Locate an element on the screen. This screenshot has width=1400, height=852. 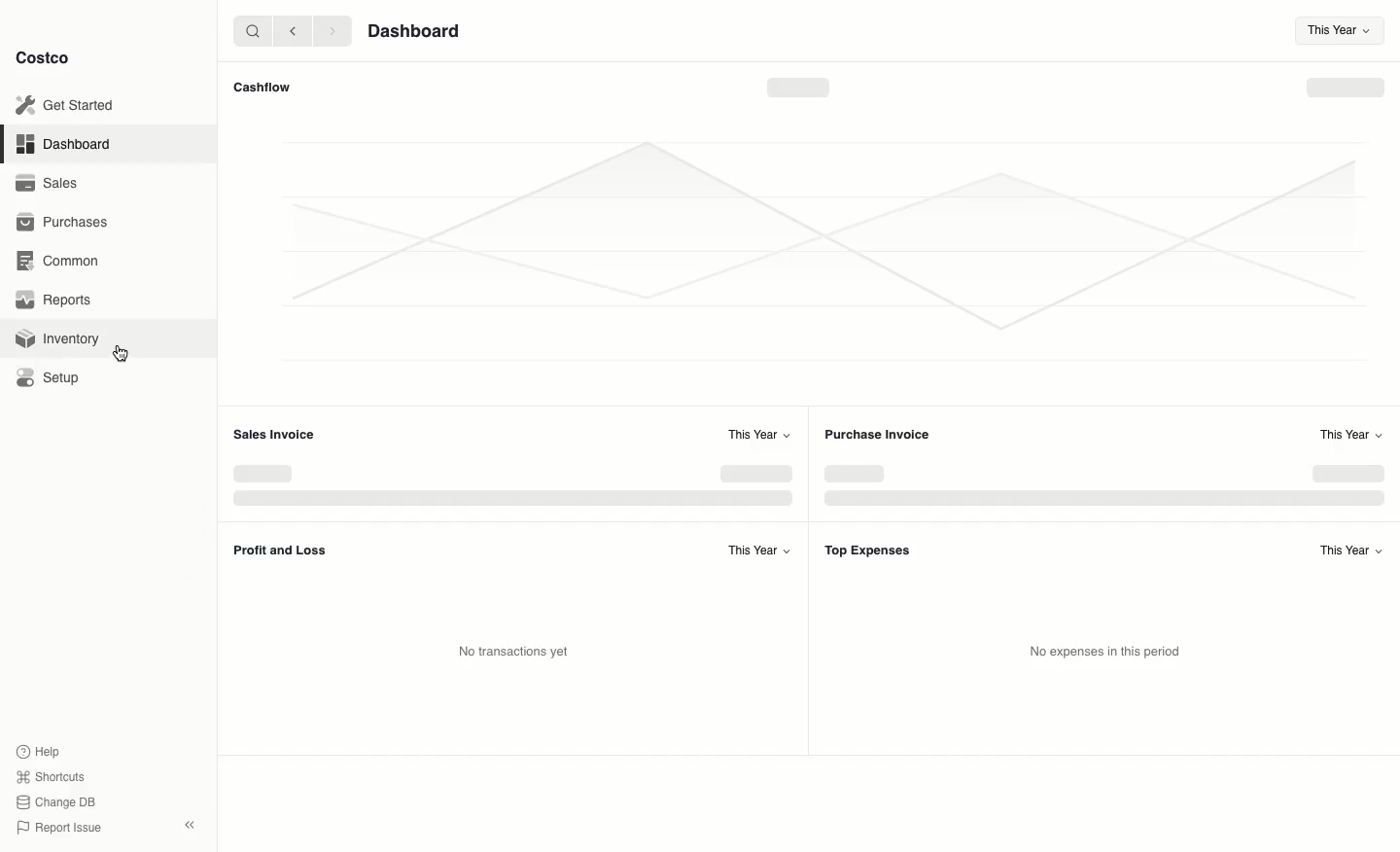
Graph is located at coordinates (1110, 487).